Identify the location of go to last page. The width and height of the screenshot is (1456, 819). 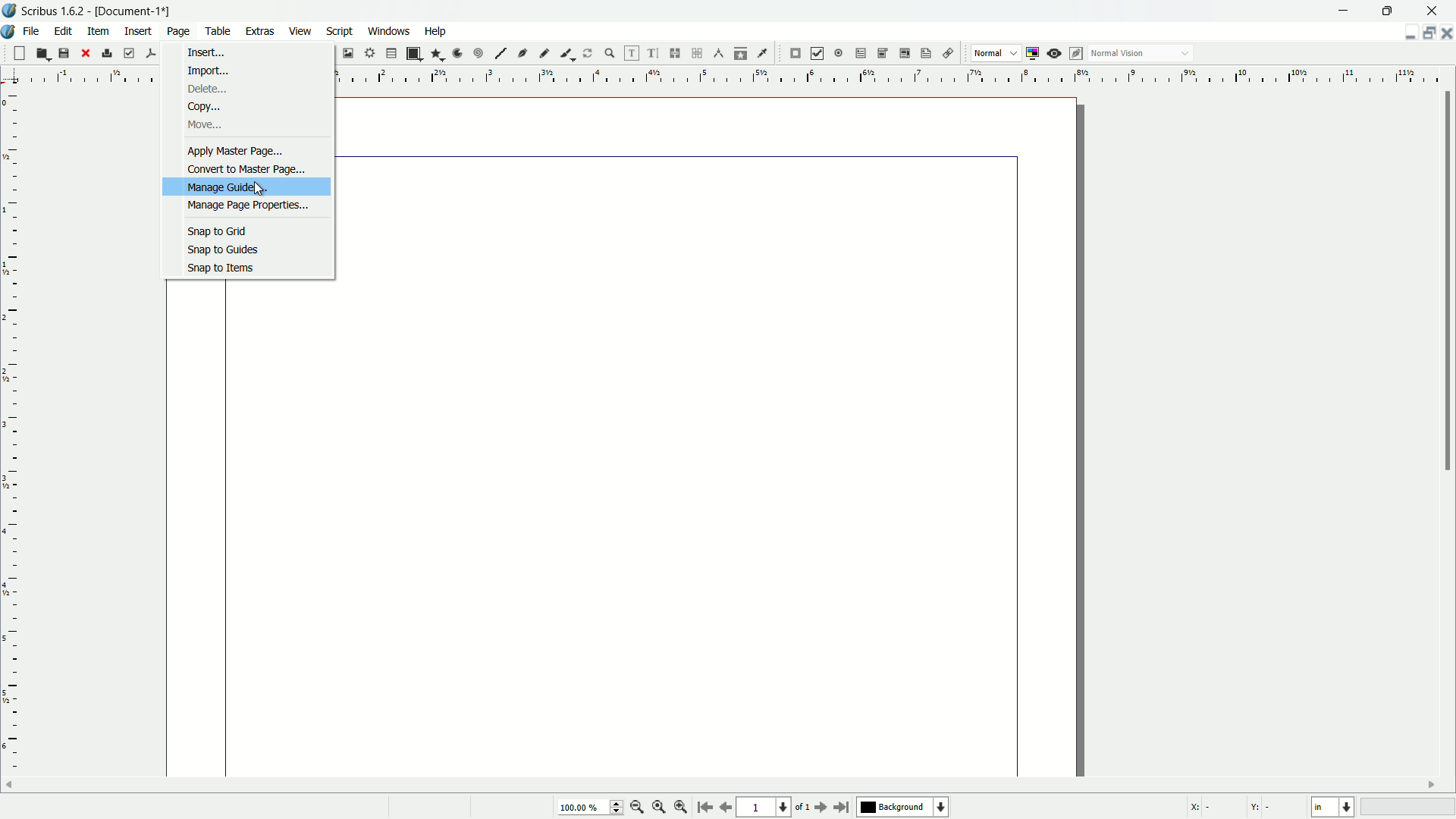
(843, 807).